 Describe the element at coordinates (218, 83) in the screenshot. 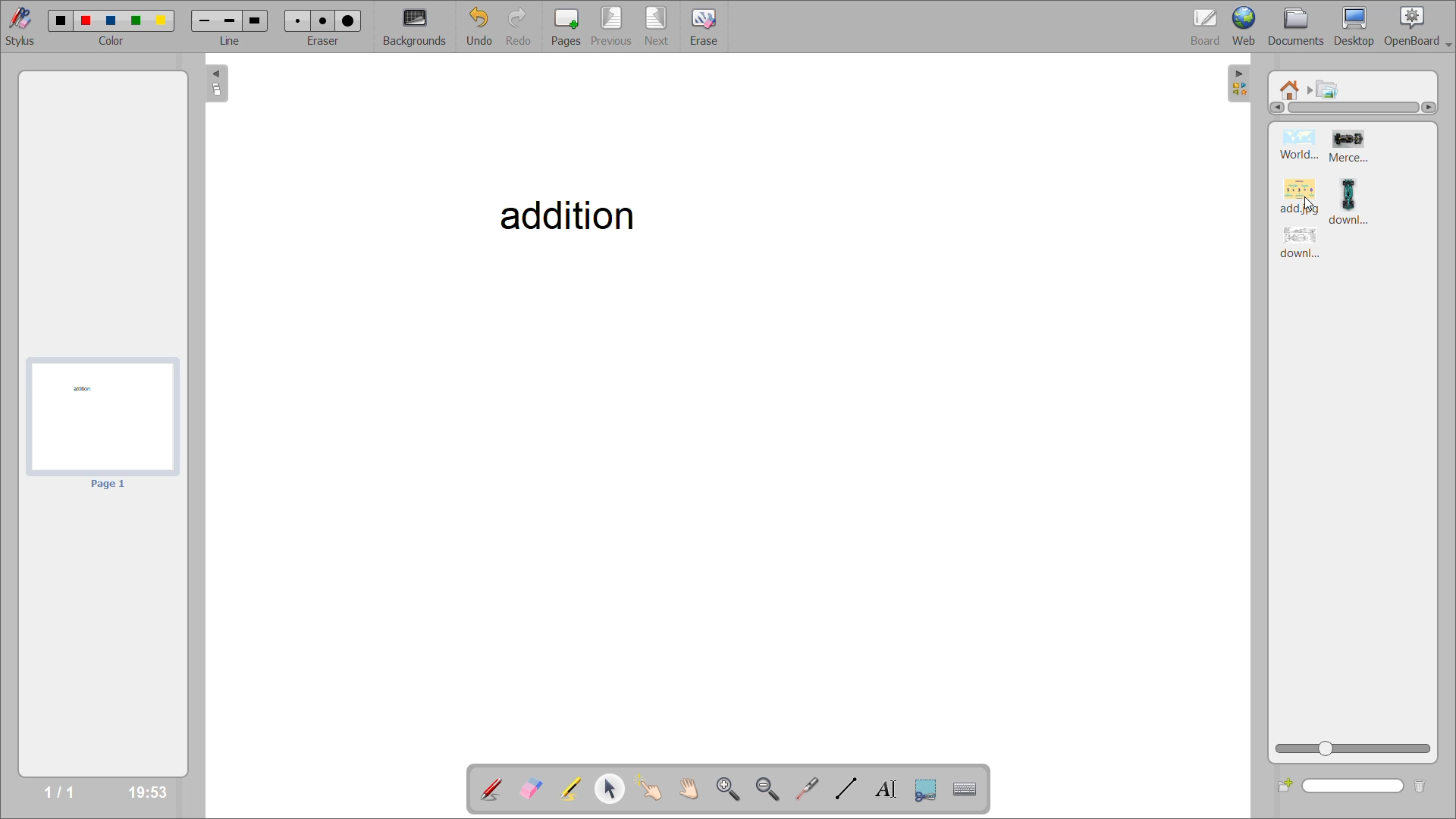

I see `collapse page preview` at that location.